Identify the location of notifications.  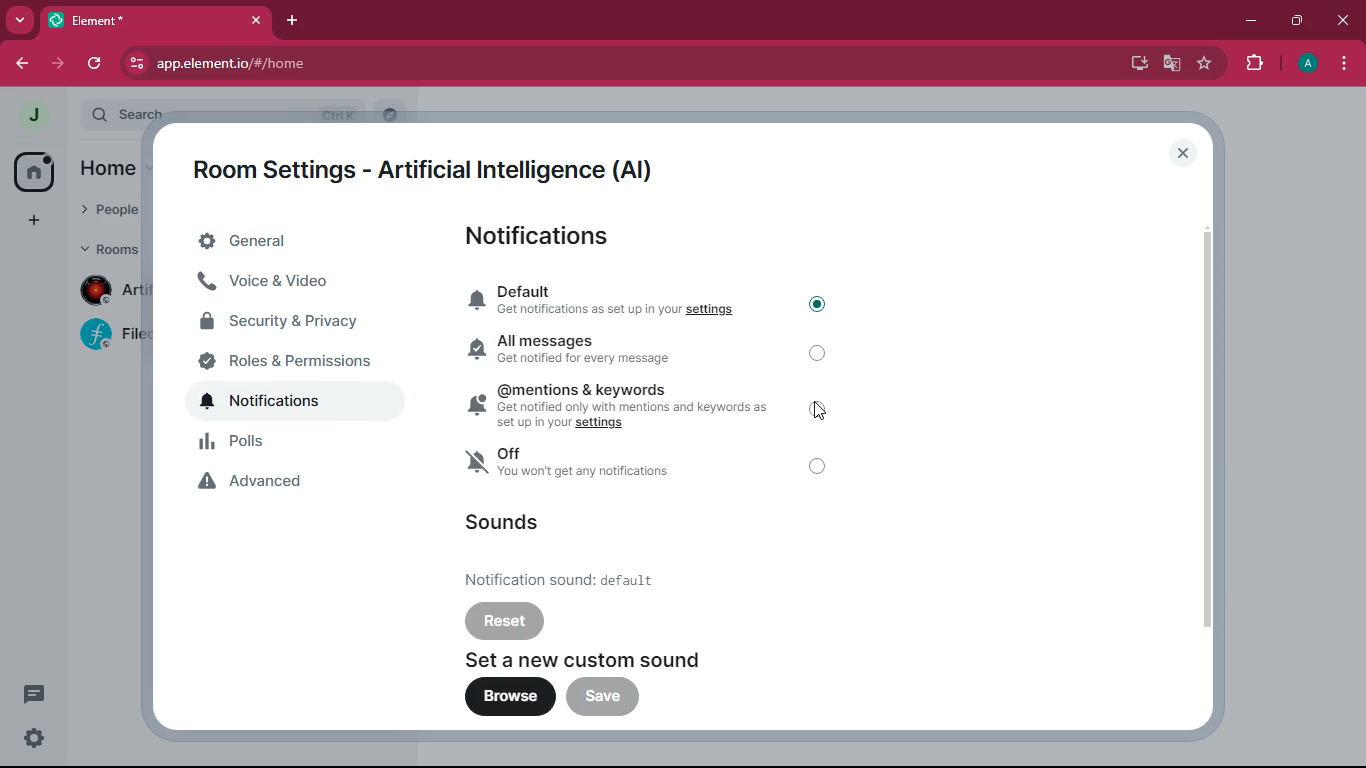
(551, 239).